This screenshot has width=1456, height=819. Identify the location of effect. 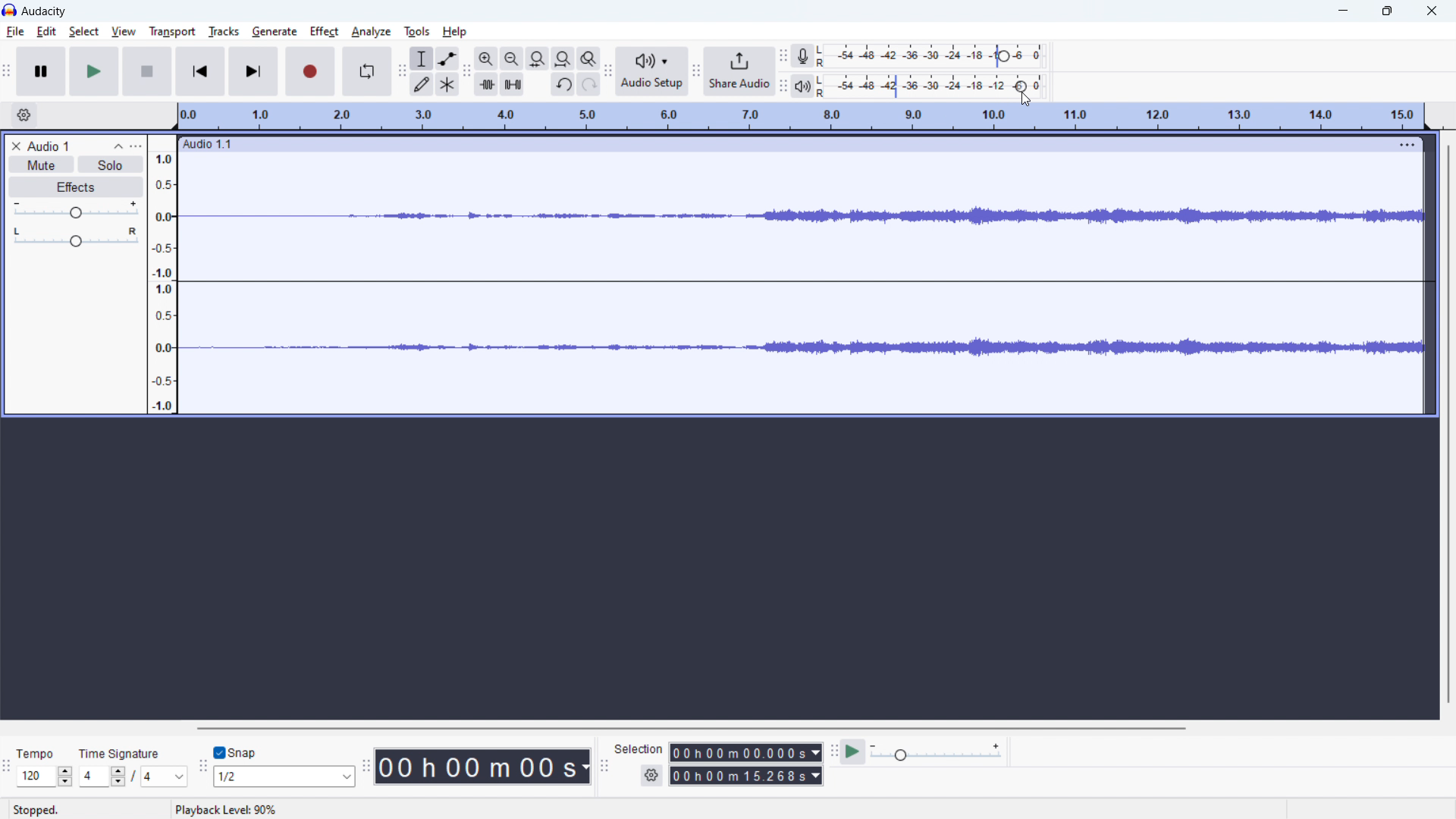
(325, 32).